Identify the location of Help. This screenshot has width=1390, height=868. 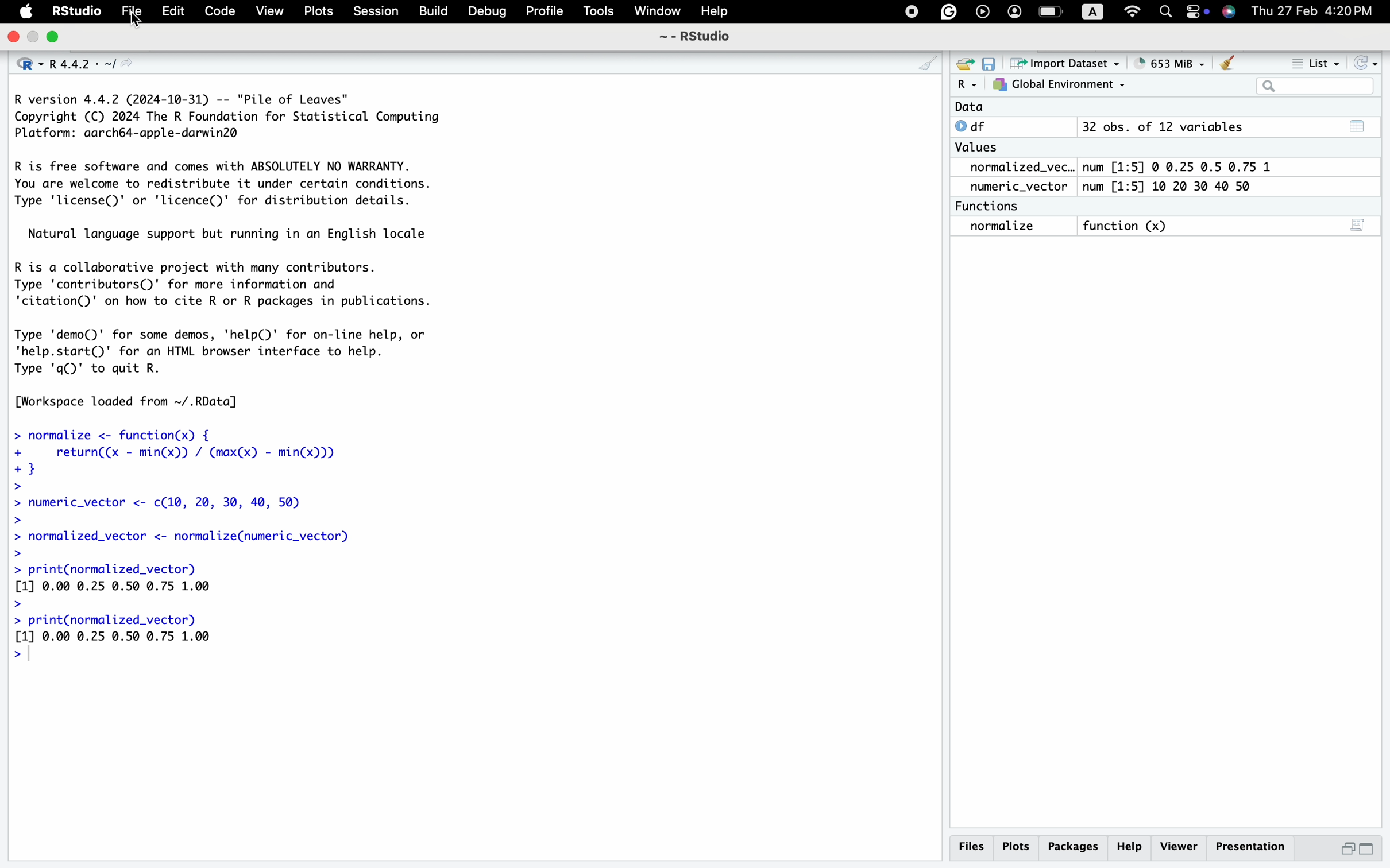
(716, 12).